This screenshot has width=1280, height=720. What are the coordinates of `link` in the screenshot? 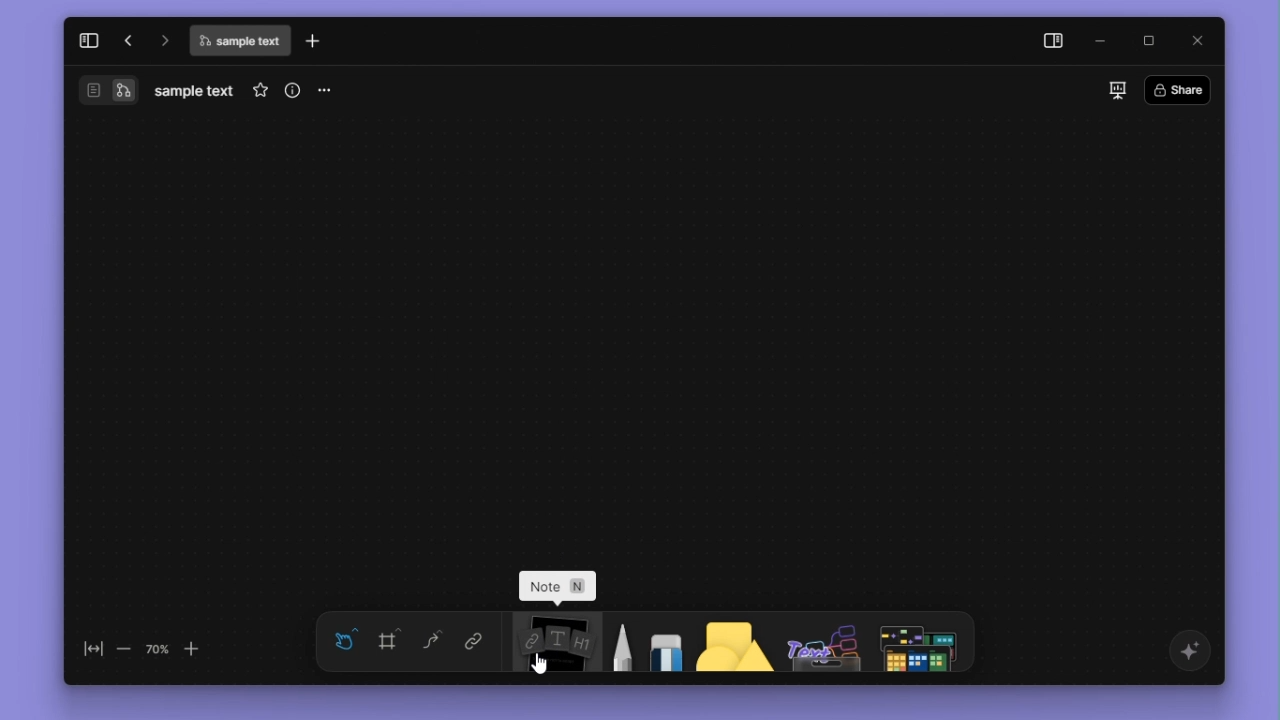 It's located at (470, 643).